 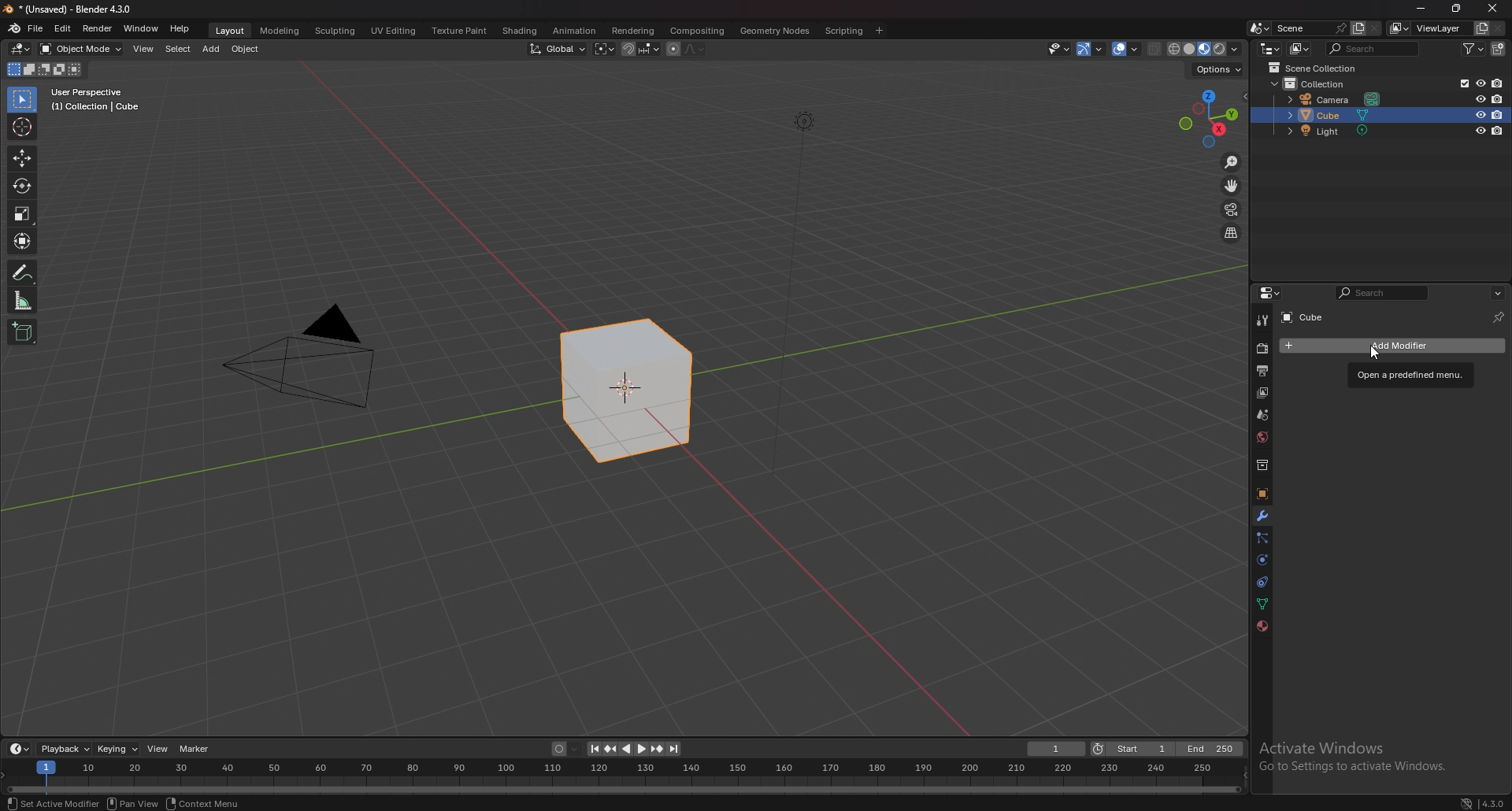 I want to click on selected cube, so click(x=631, y=389).